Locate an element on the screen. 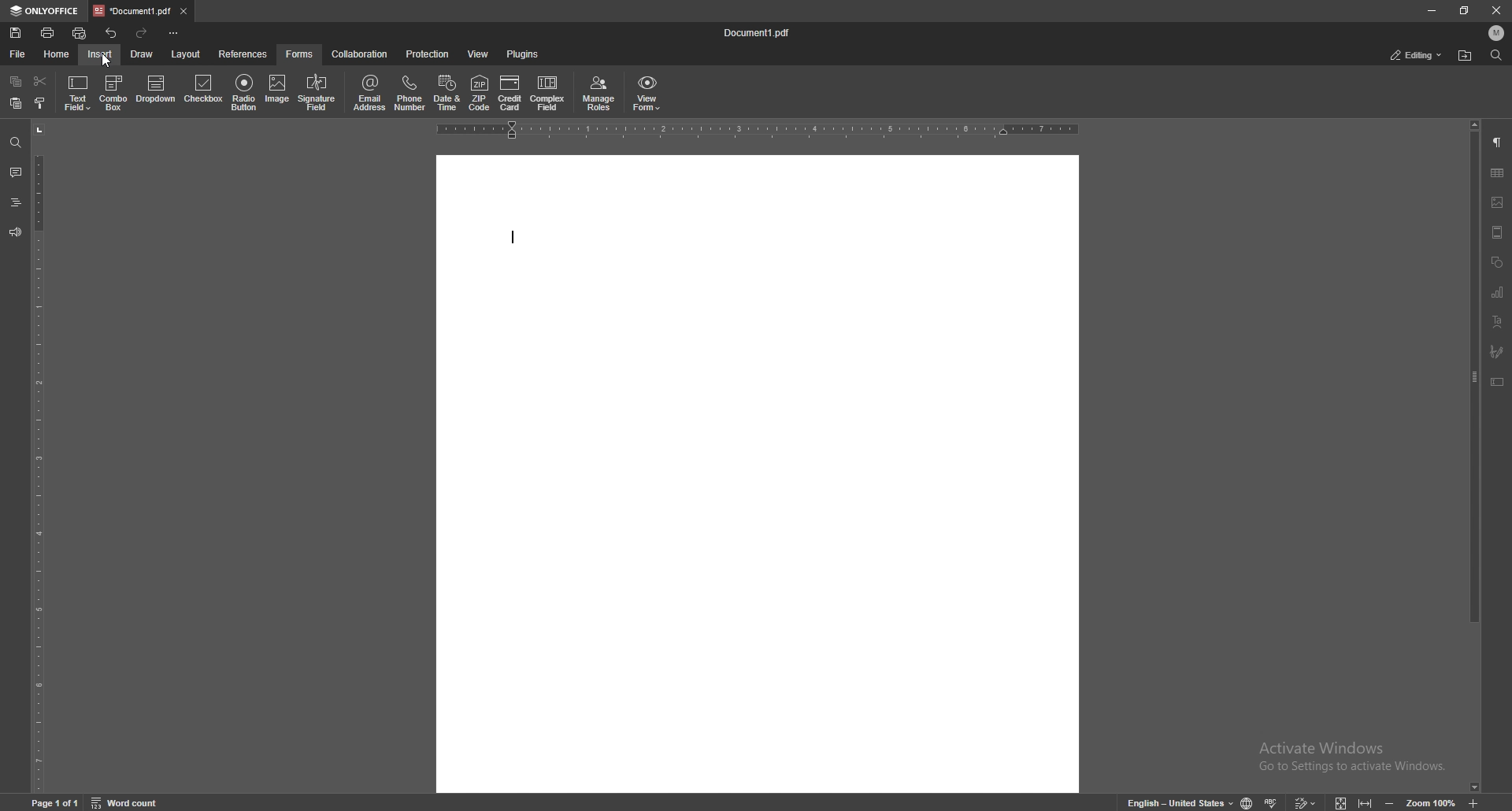 The width and height of the screenshot is (1512, 811). image is located at coordinates (277, 90).